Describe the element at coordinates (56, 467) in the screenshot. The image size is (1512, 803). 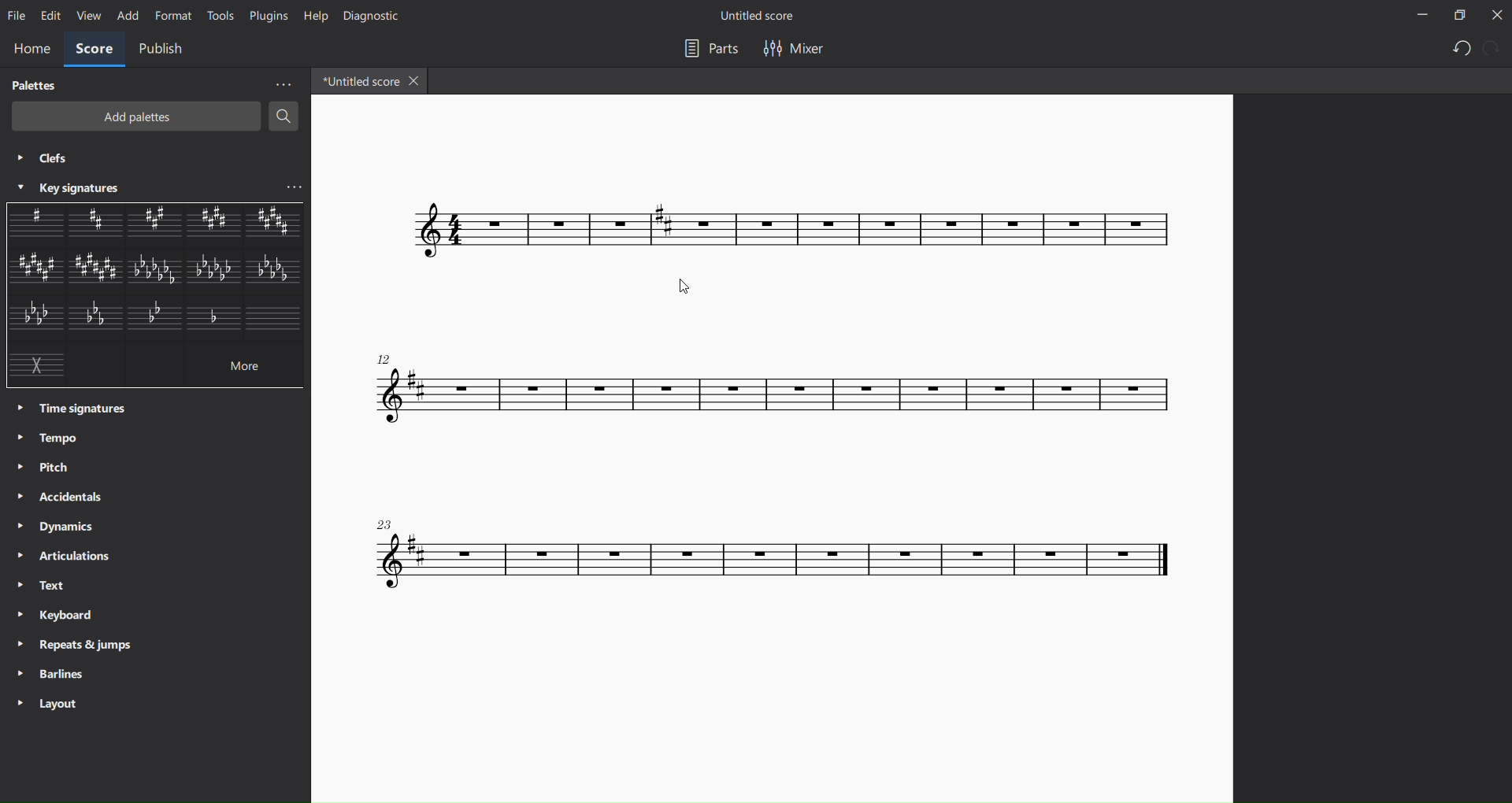
I see `pitch` at that location.